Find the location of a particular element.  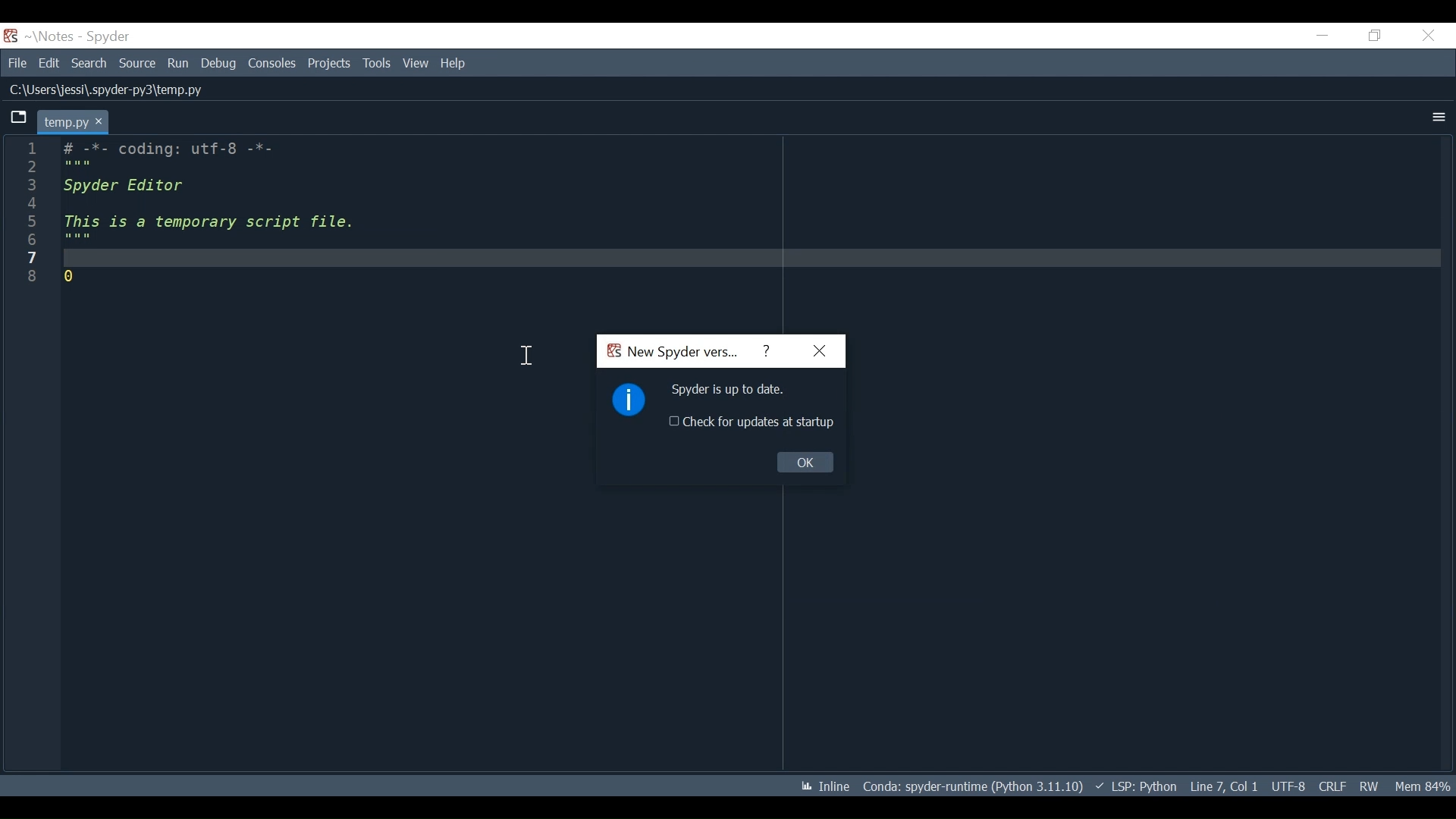

More Options  is located at coordinates (1441, 118).